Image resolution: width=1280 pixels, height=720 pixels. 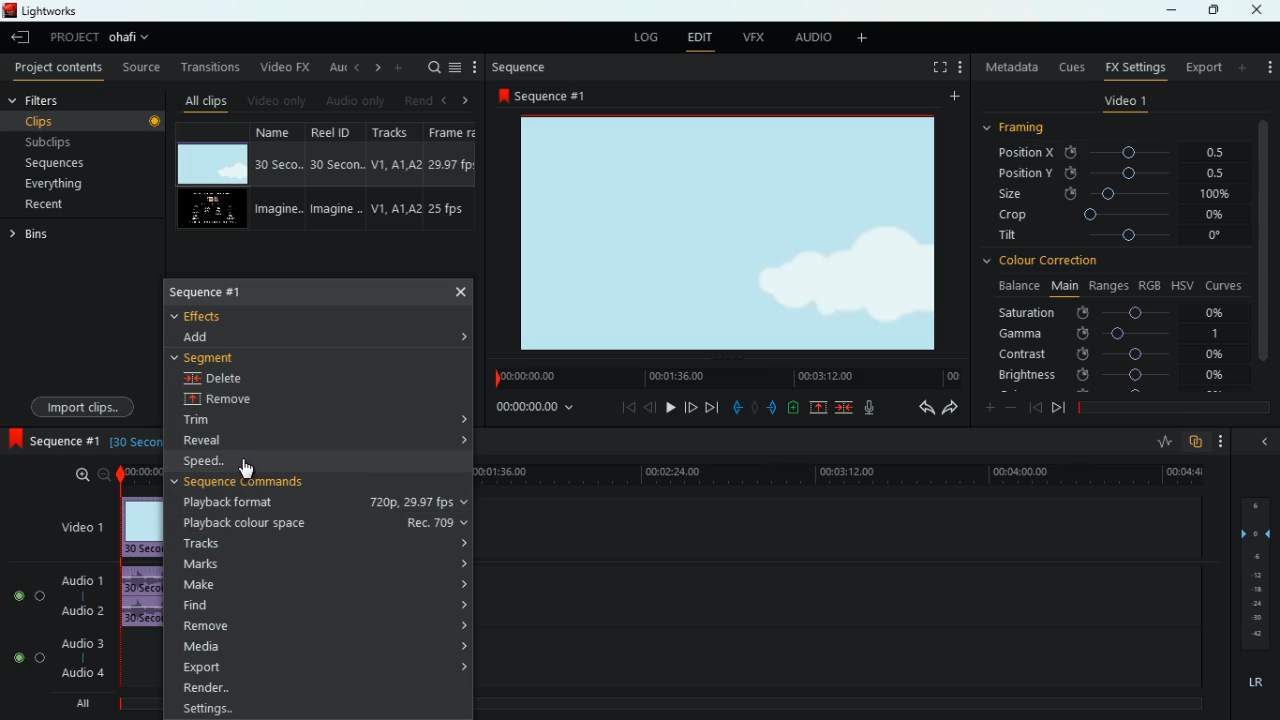 I want to click on delete, so click(x=217, y=379).